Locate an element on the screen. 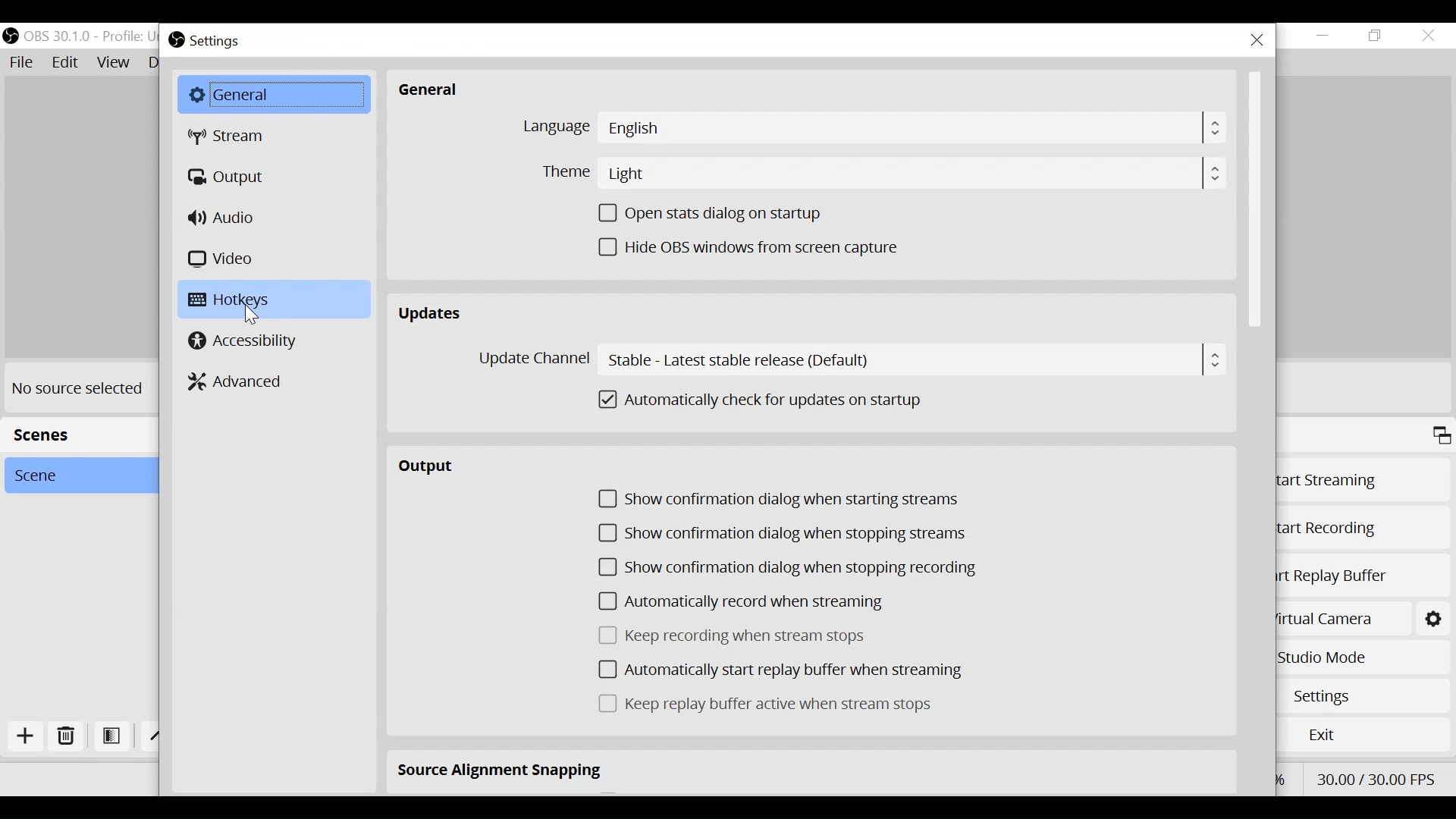 This screenshot has width=1456, height=819. Start Virtual Camera Settings is located at coordinates (1436, 619).